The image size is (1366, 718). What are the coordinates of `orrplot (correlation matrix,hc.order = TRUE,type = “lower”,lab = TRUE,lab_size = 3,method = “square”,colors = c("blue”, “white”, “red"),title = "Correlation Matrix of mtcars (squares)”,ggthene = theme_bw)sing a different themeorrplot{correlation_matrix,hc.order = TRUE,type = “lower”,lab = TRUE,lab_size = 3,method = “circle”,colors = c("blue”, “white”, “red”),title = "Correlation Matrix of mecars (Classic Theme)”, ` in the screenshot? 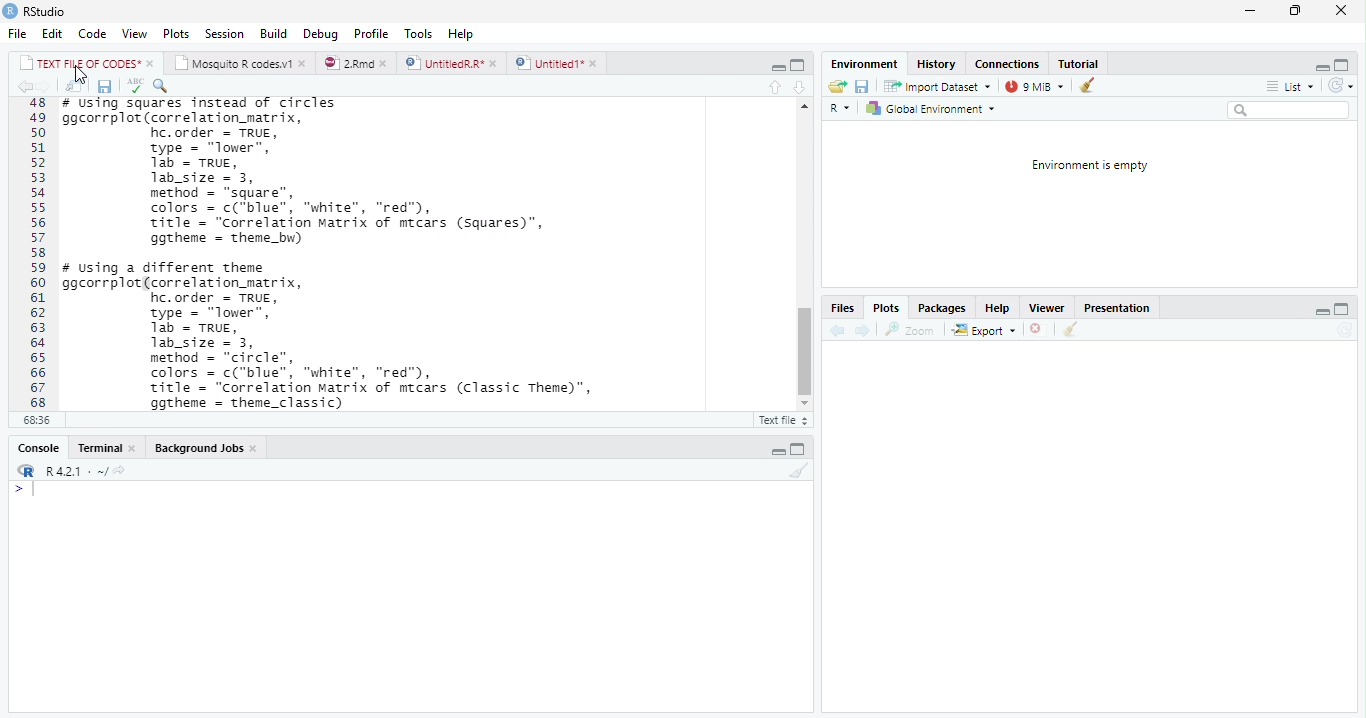 It's located at (363, 253).